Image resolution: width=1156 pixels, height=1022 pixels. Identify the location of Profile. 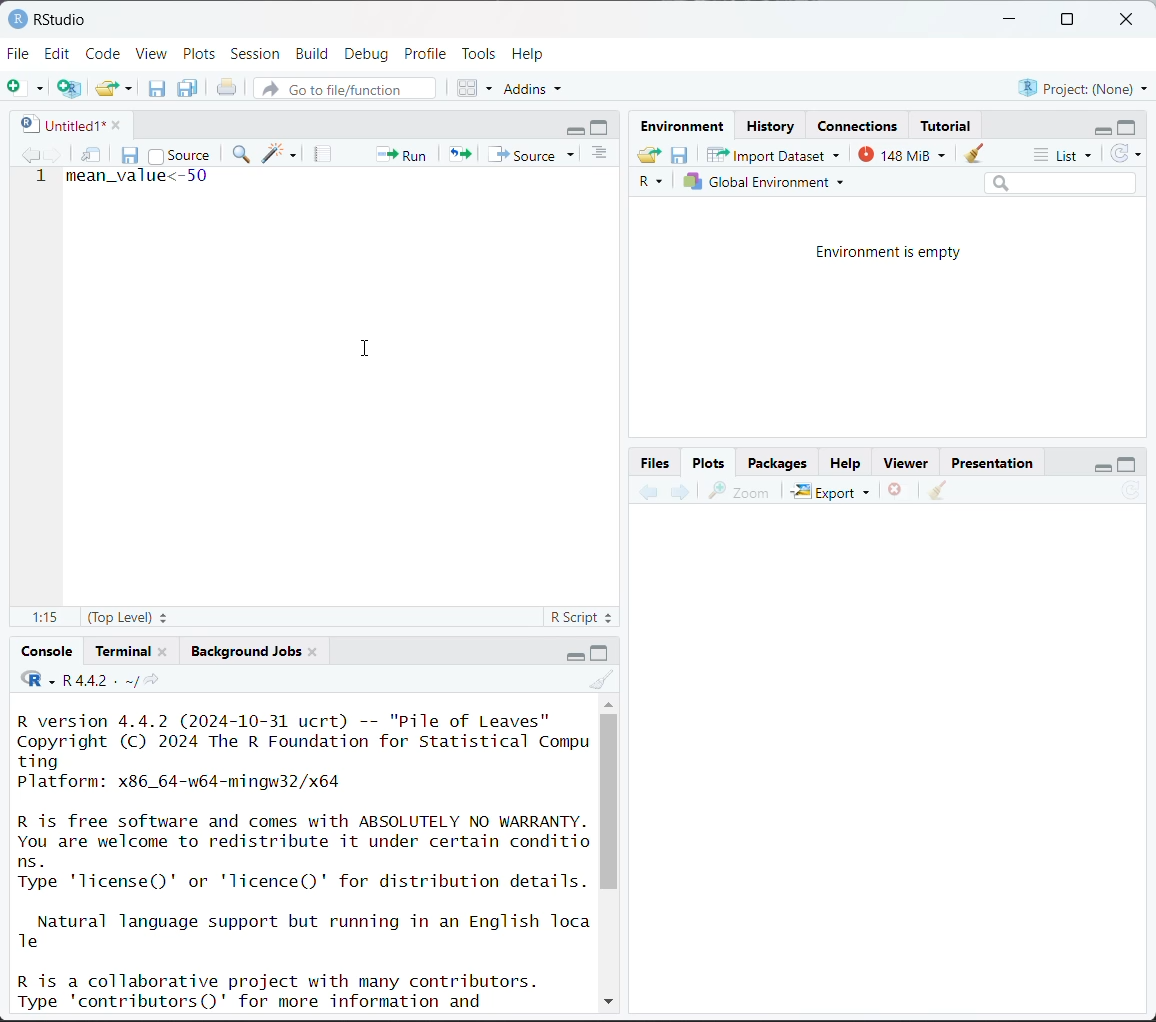
(428, 52).